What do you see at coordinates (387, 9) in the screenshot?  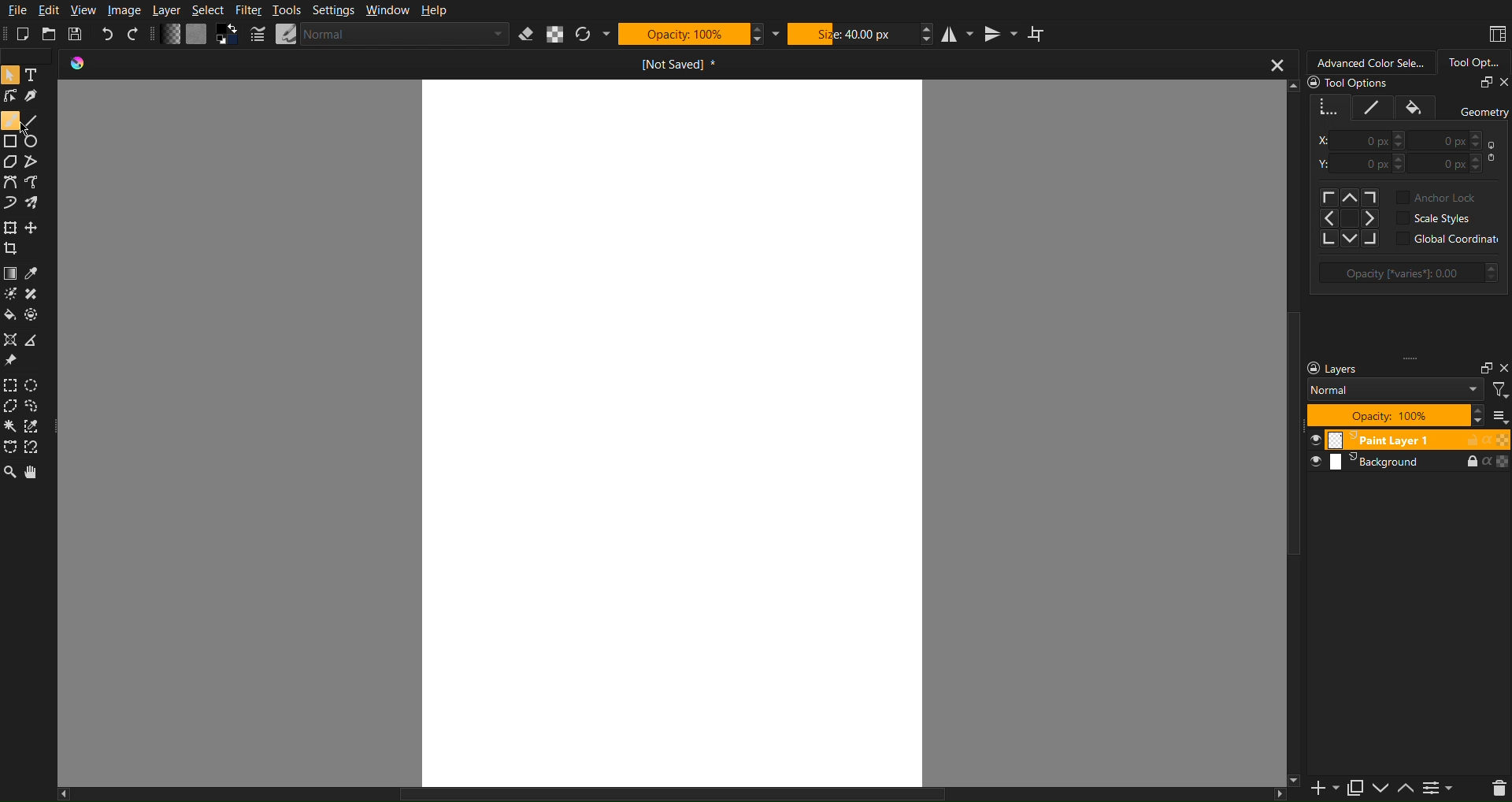 I see `Window` at bounding box center [387, 9].